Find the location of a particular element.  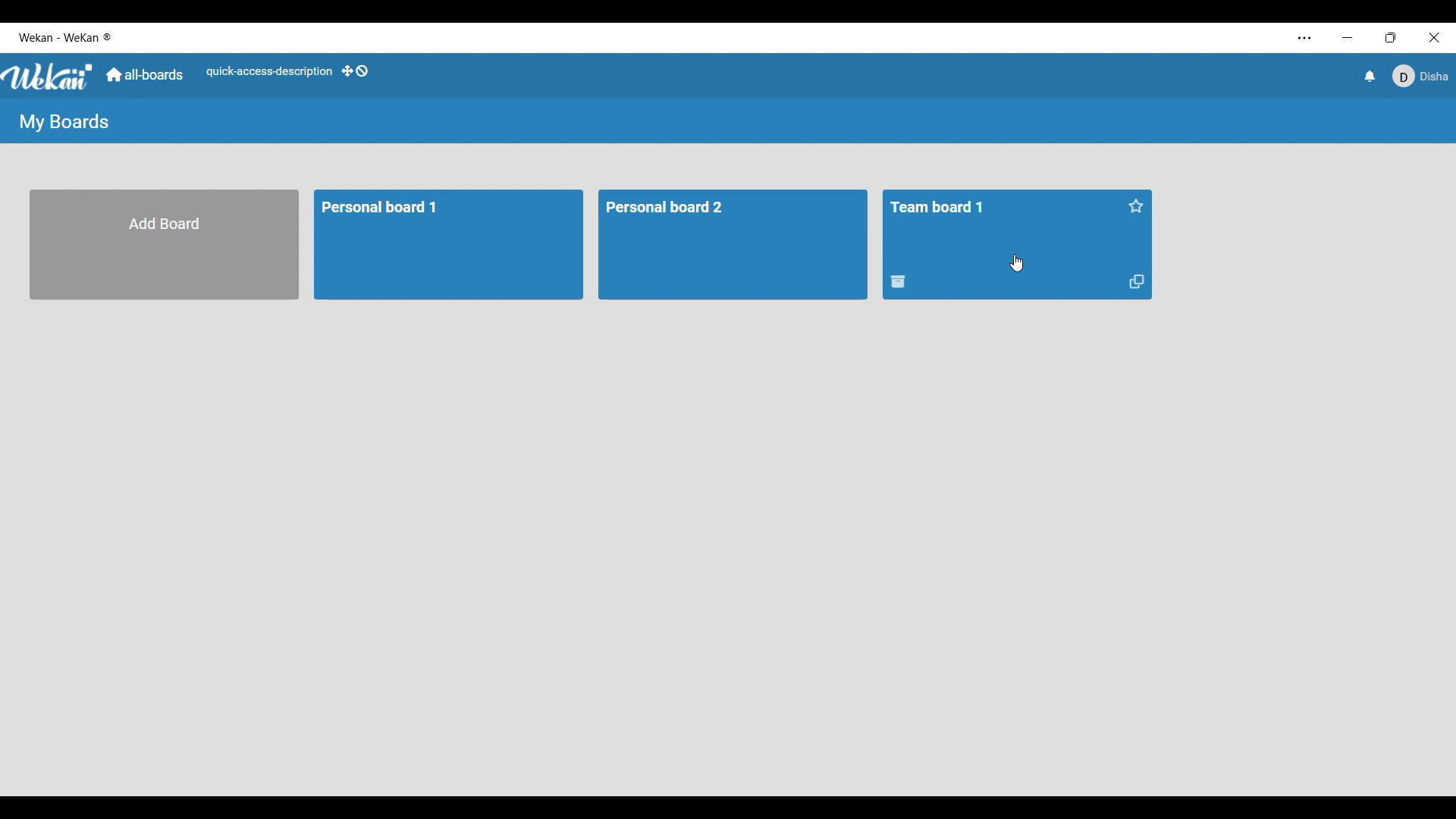

Team board 1 is located at coordinates (946, 206).